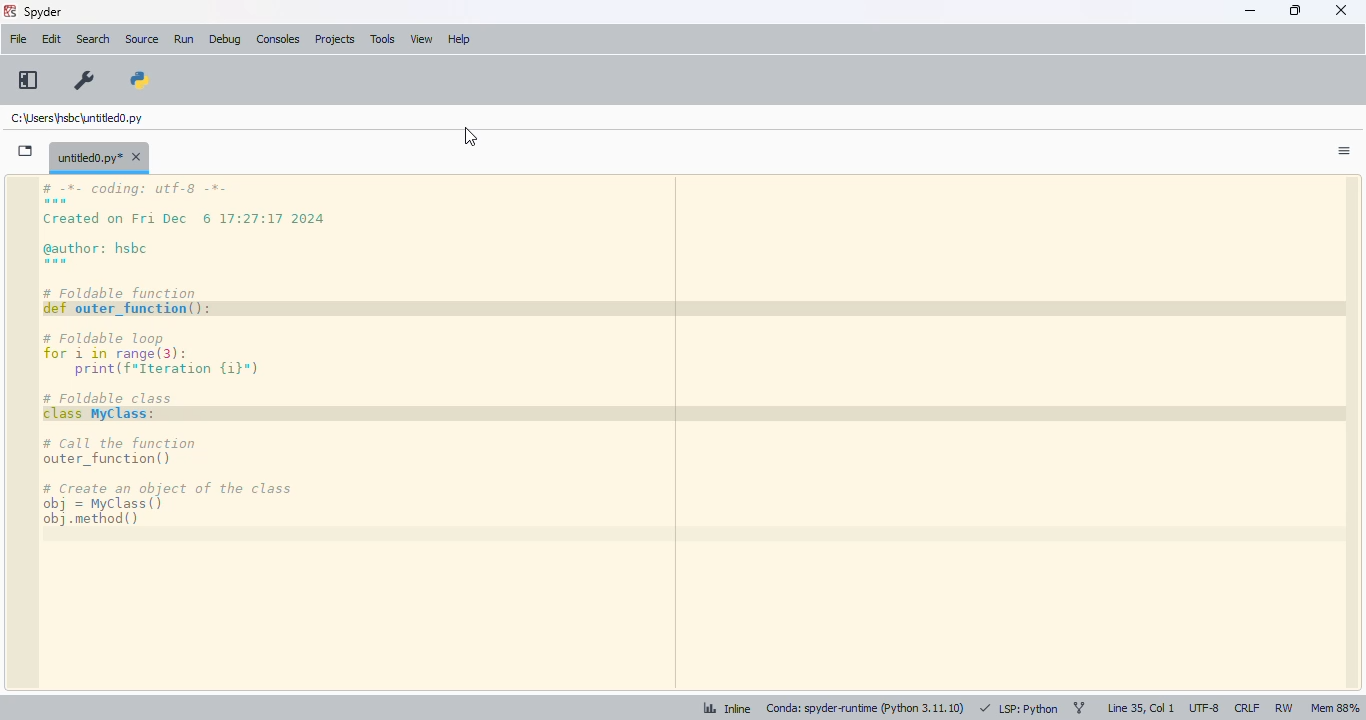  Describe the element at coordinates (727, 708) in the screenshot. I see `inline` at that location.